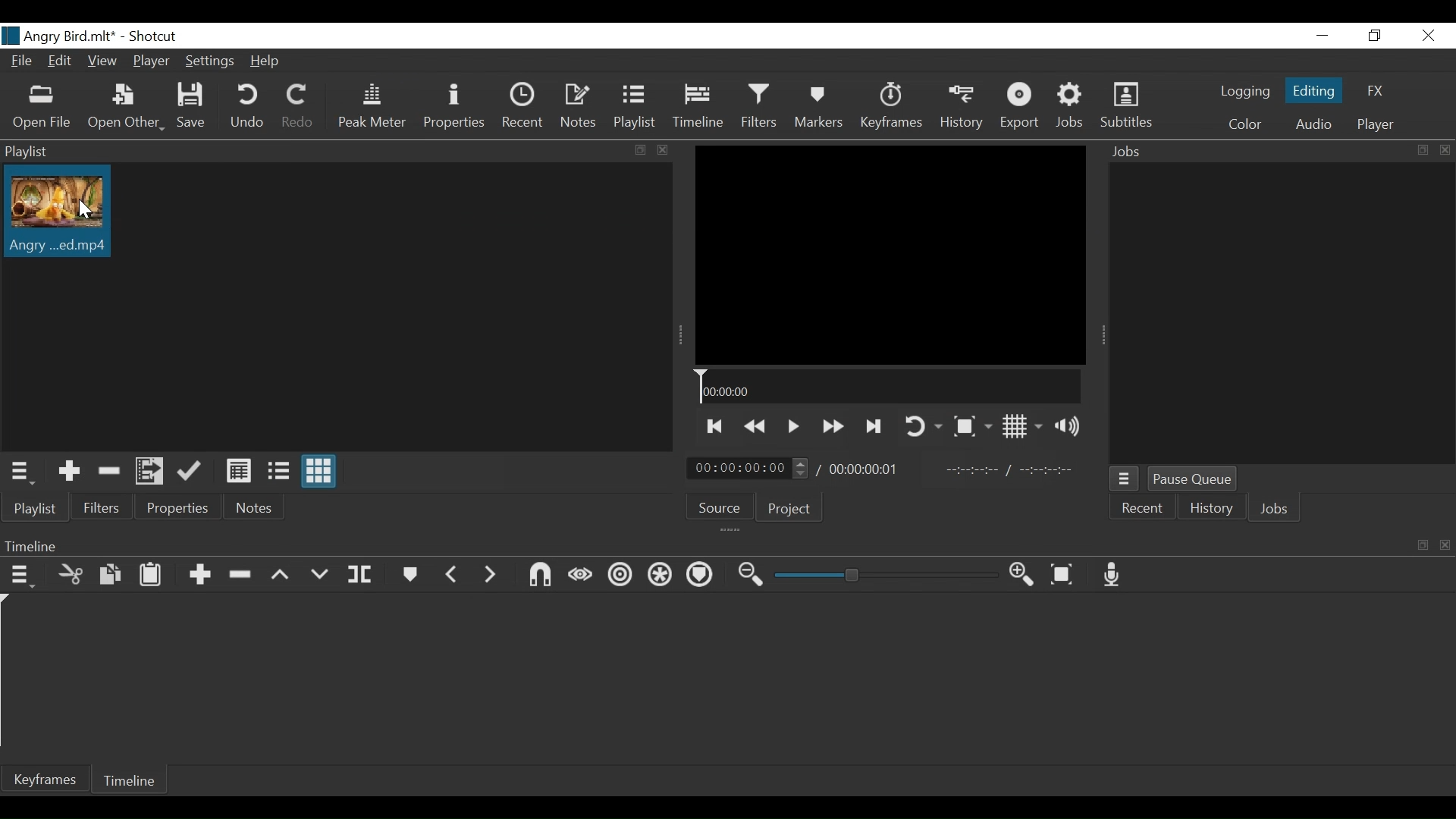 This screenshot has width=1456, height=819. I want to click on History, so click(1209, 509).